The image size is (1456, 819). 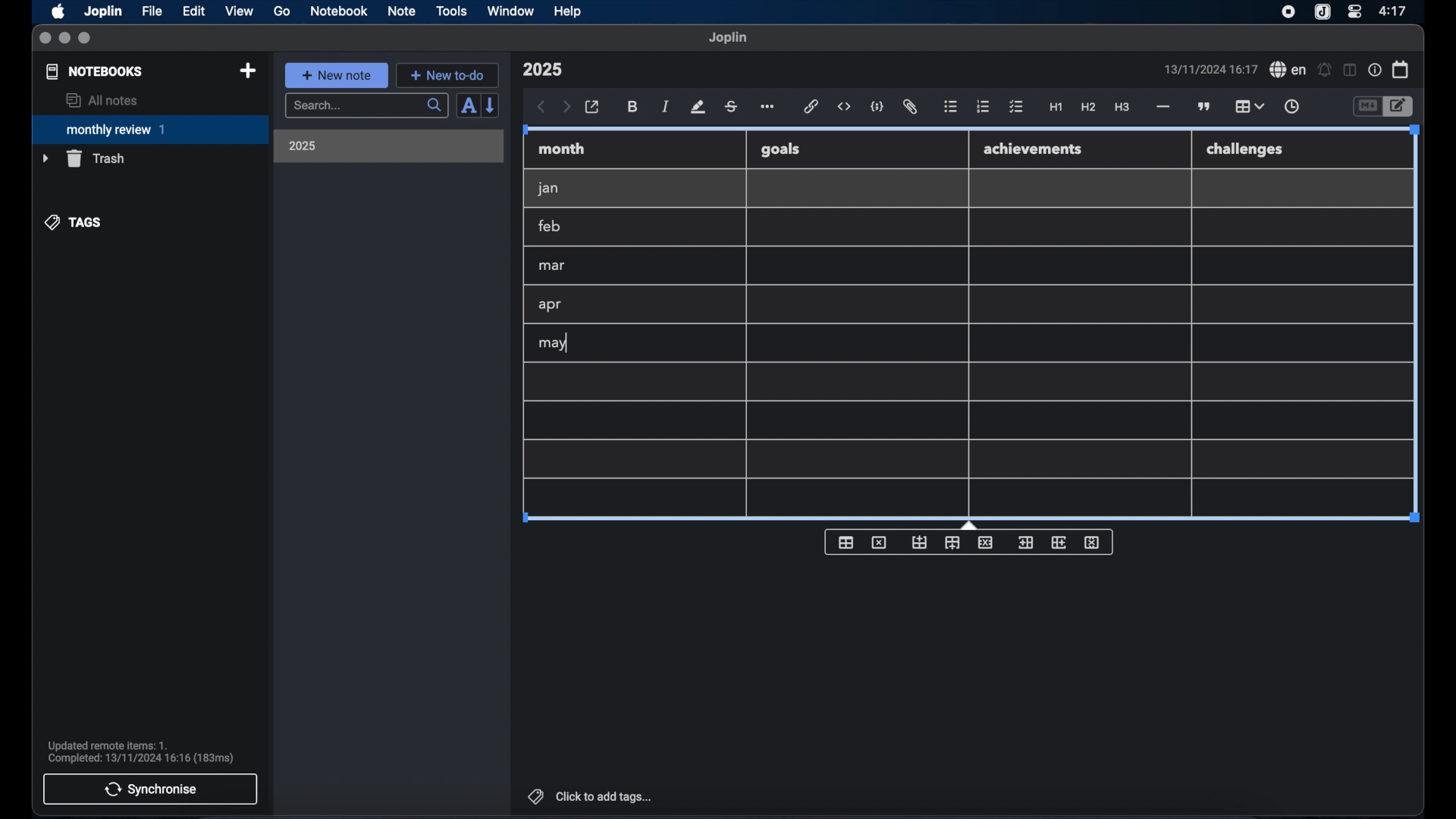 I want to click on joplin, so click(x=728, y=37).